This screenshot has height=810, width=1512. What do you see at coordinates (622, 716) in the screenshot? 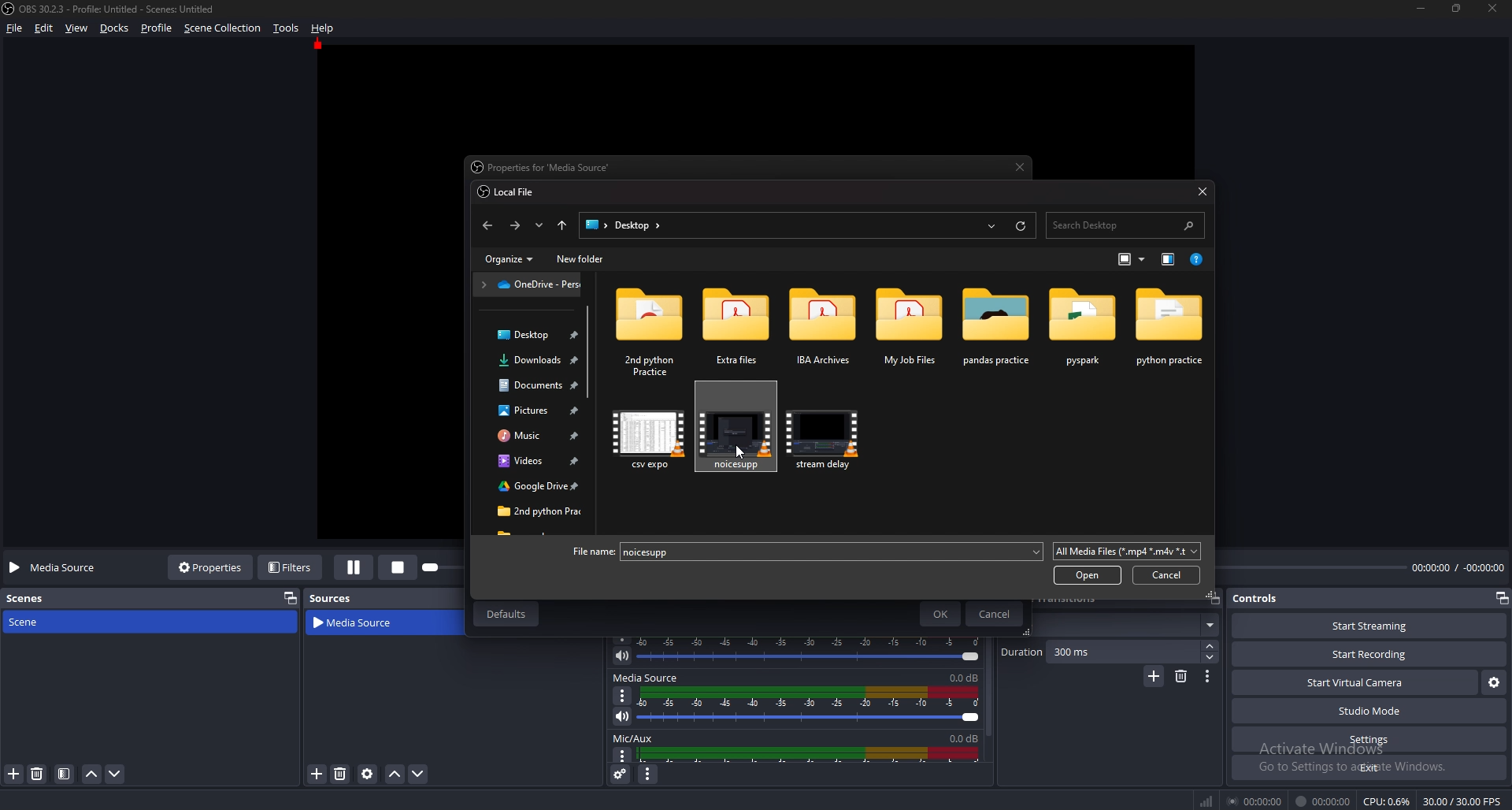
I see `mute` at bounding box center [622, 716].